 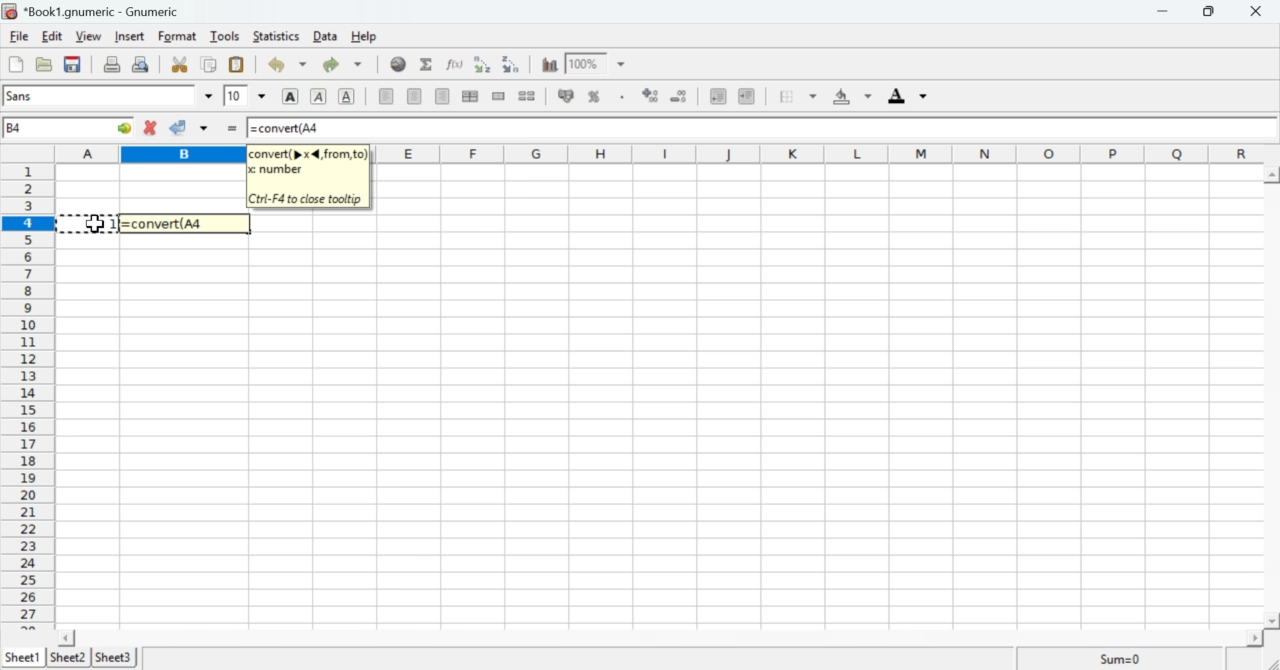 I want to click on Cross, so click(x=1258, y=12).